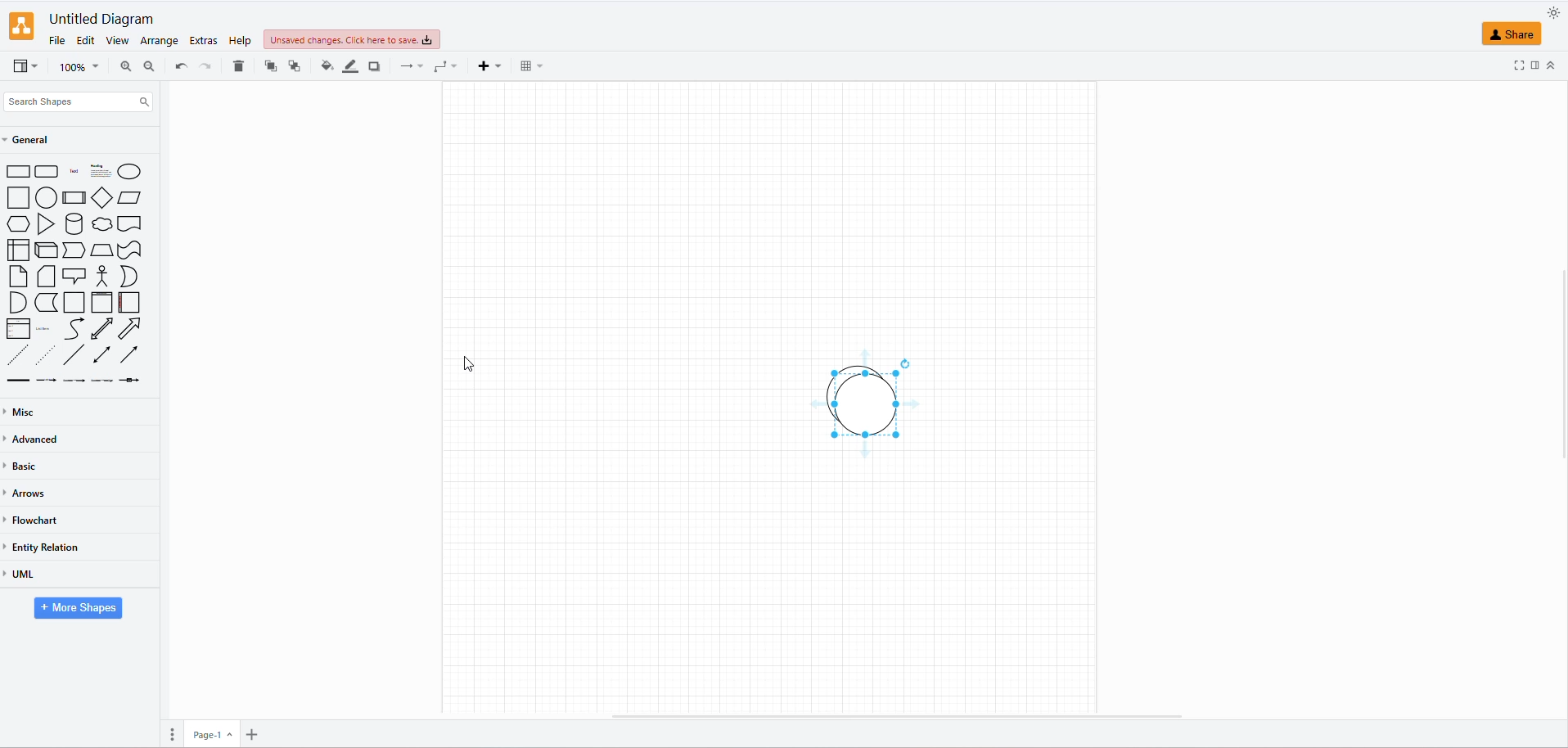 This screenshot has height=748, width=1568. Describe the element at coordinates (324, 69) in the screenshot. I see `FILL COLOR` at that location.